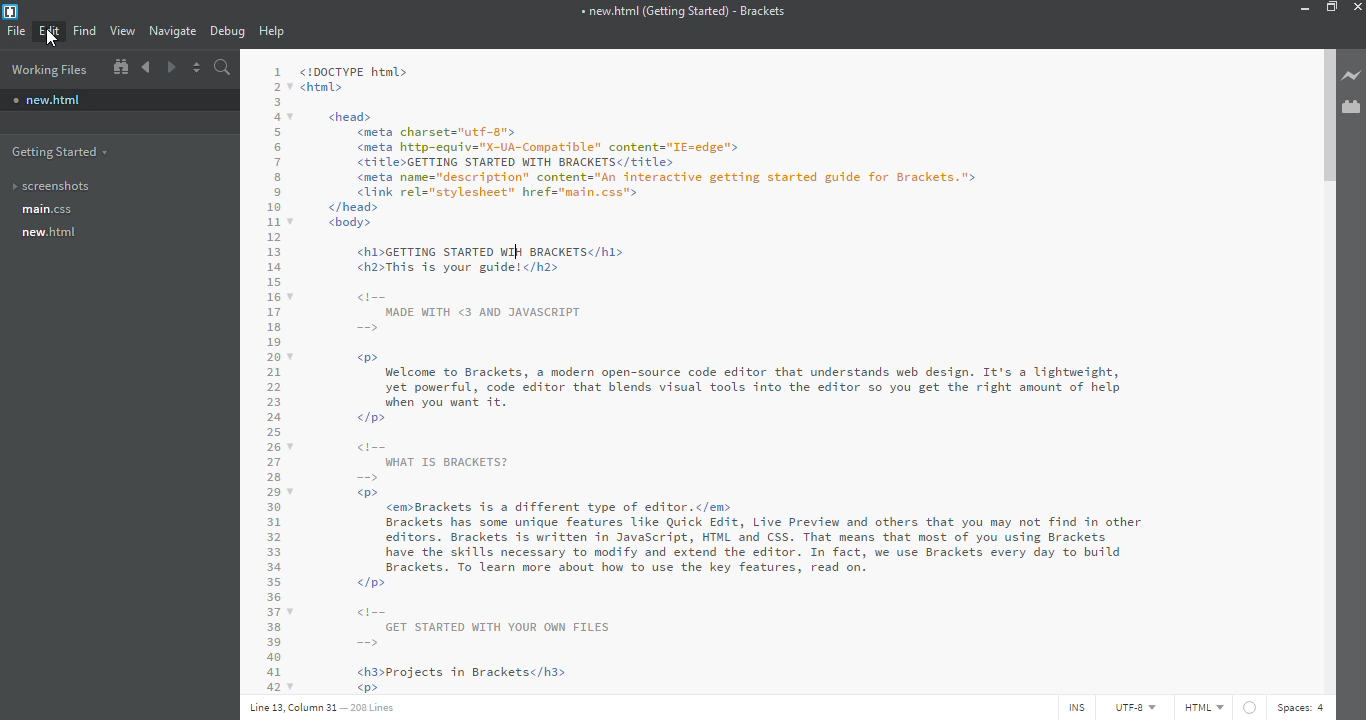  What do you see at coordinates (53, 99) in the screenshot?
I see `new` at bounding box center [53, 99].